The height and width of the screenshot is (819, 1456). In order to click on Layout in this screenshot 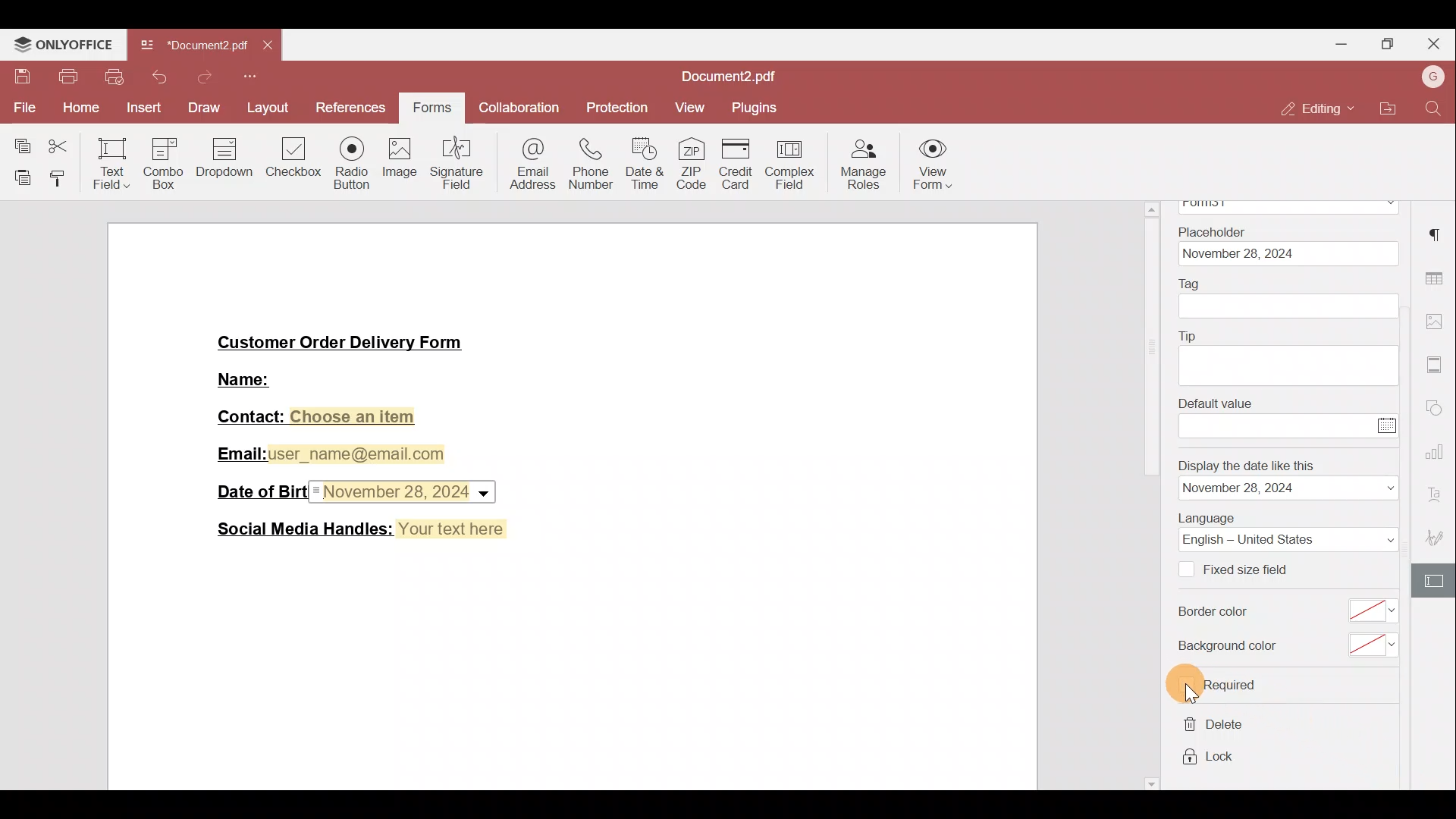, I will do `click(269, 111)`.